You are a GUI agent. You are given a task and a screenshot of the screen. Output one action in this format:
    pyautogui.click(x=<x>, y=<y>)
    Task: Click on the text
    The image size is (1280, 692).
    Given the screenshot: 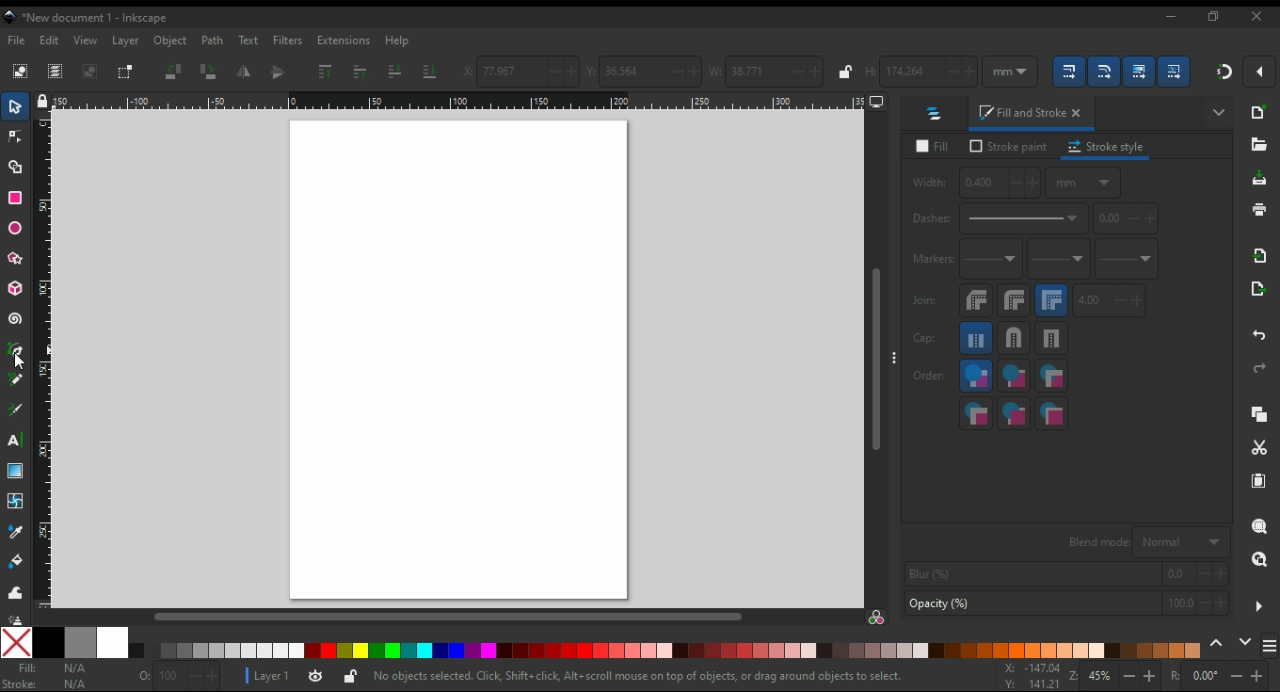 What is the action you would take?
    pyautogui.click(x=250, y=40)
    